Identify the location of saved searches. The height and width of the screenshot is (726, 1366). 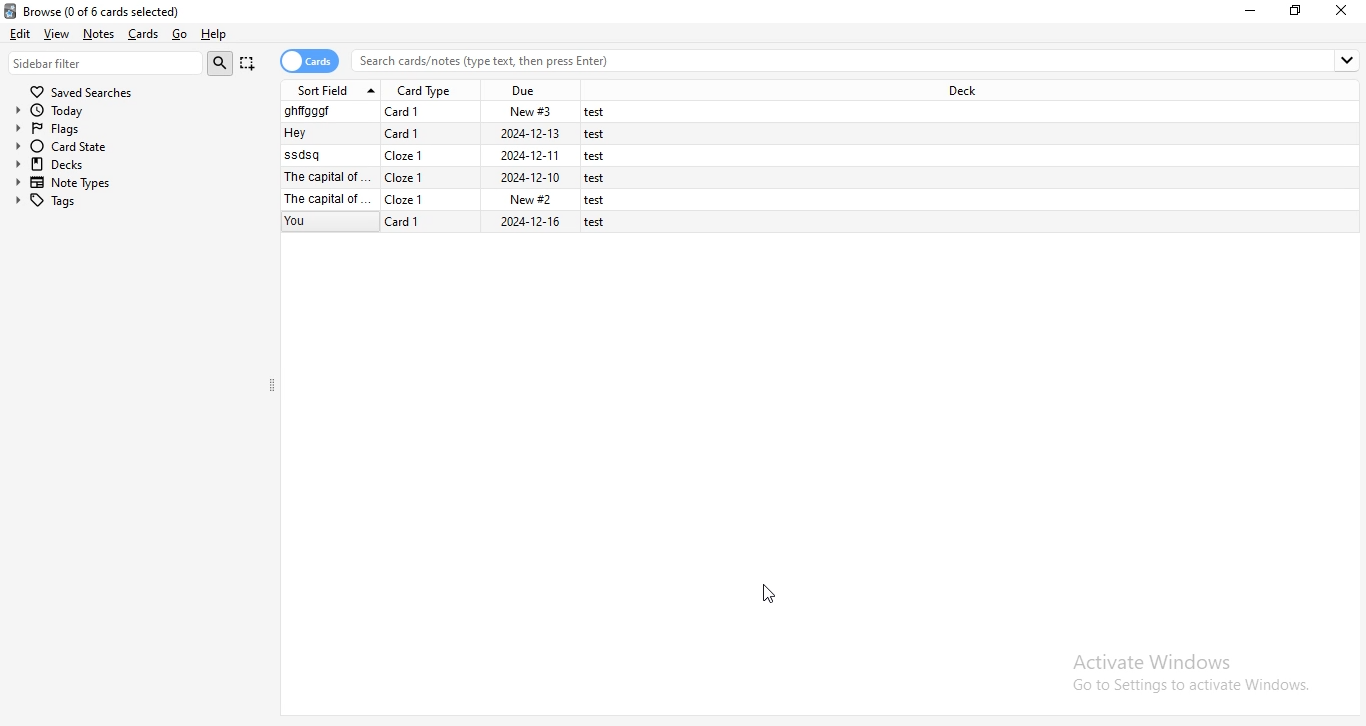
(81, 91).